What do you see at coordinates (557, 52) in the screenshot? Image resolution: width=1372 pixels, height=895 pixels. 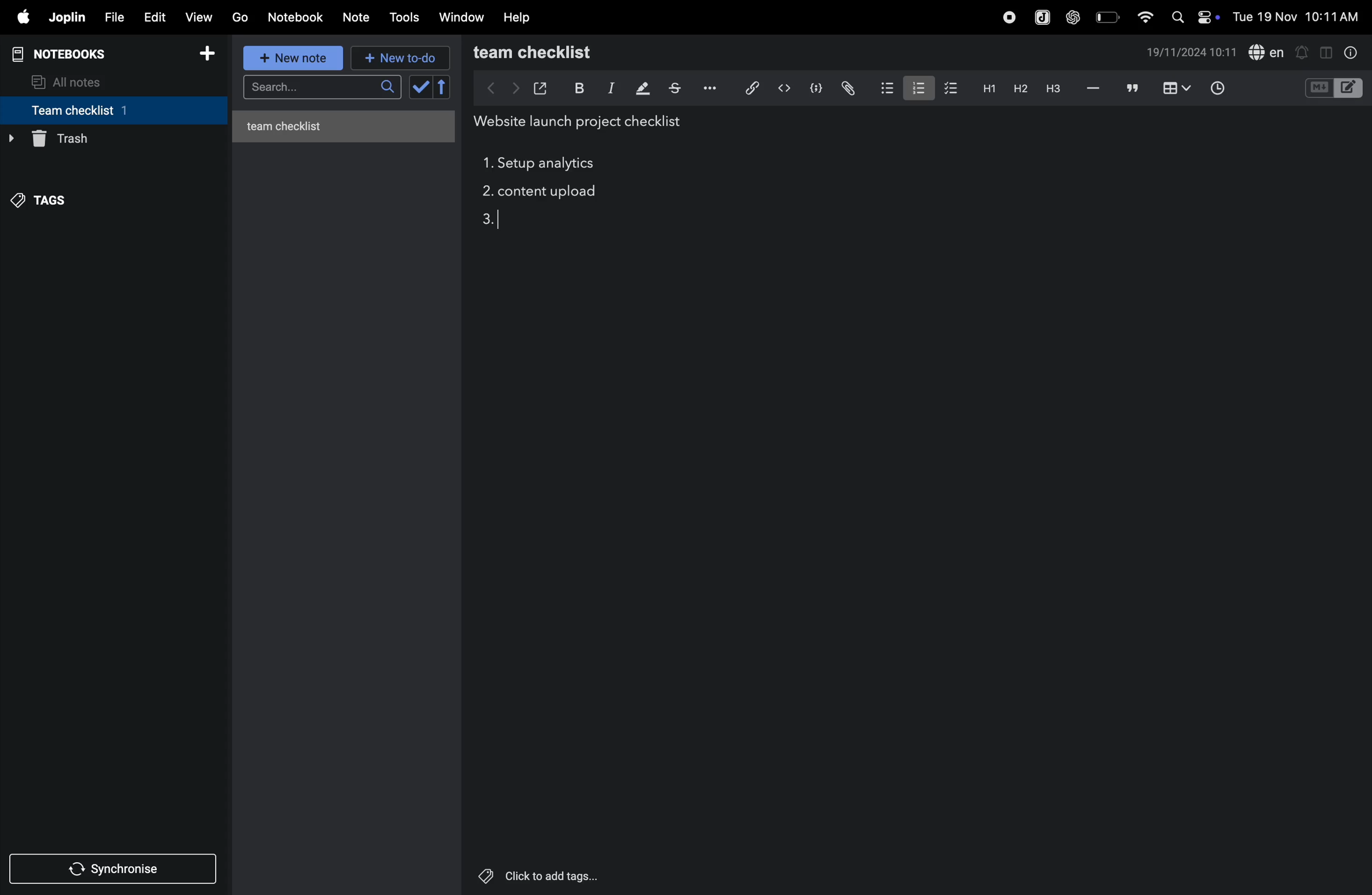 I see `team checklist` at bounding box center [557, 52].